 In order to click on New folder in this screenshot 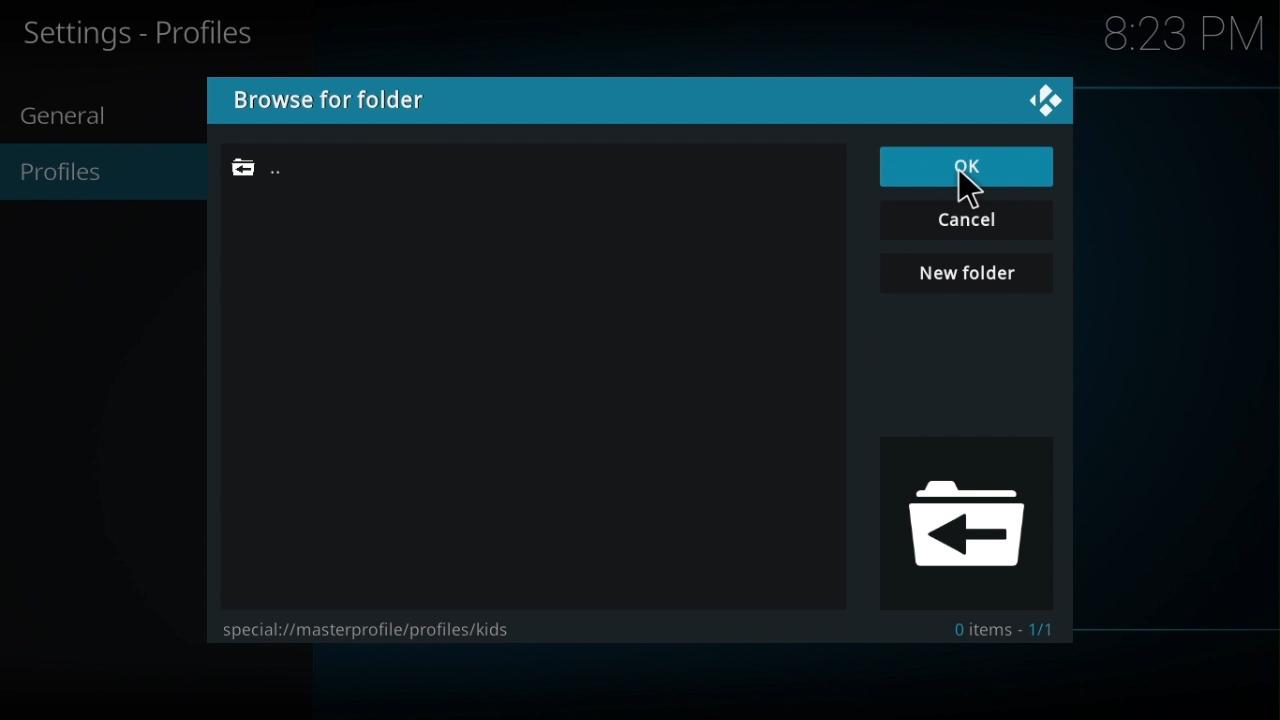, I will do `click(967, 273)`.